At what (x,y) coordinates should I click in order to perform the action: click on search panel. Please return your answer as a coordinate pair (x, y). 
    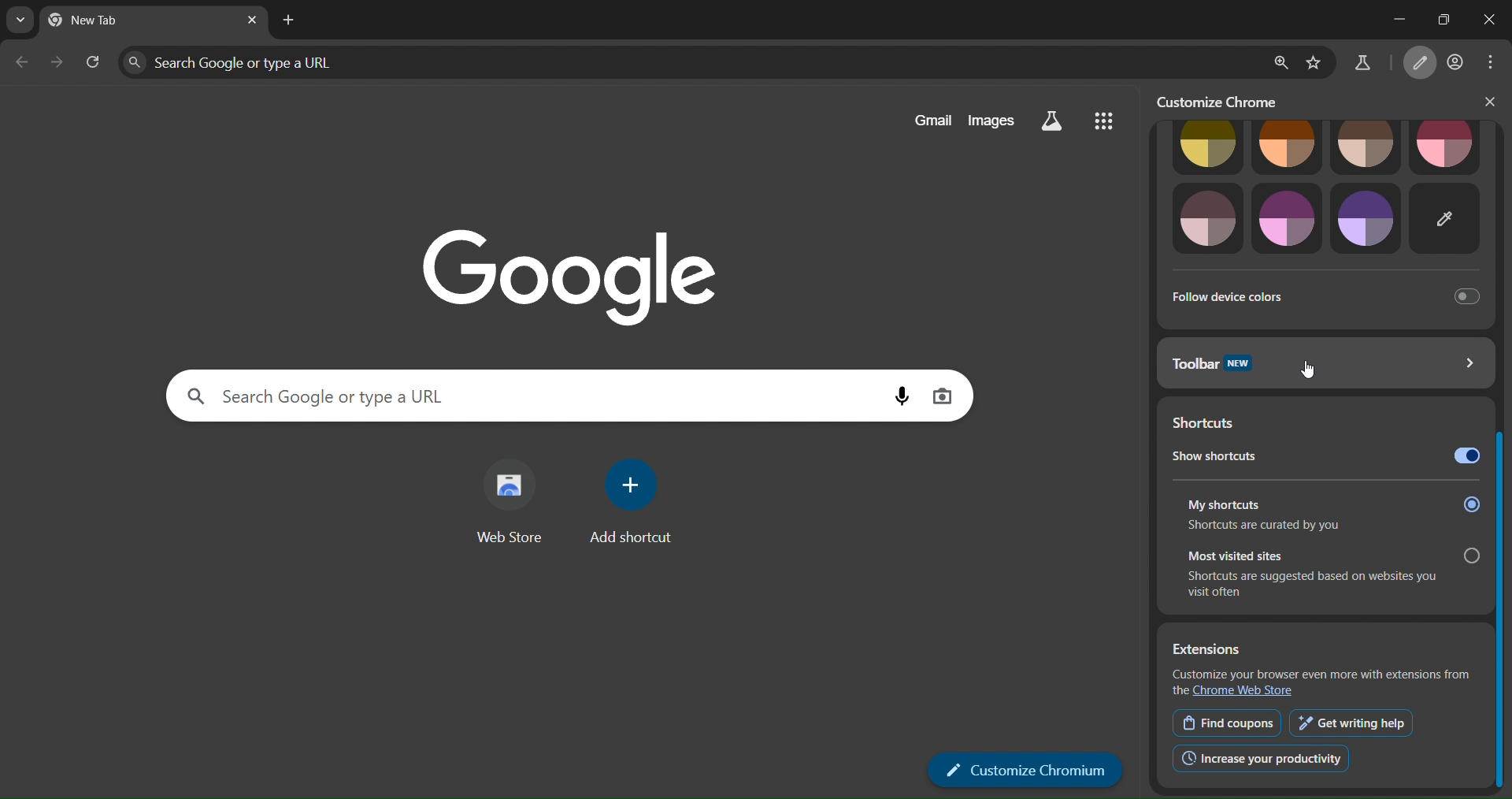
    Looking at the image, I should click on (521, 396).